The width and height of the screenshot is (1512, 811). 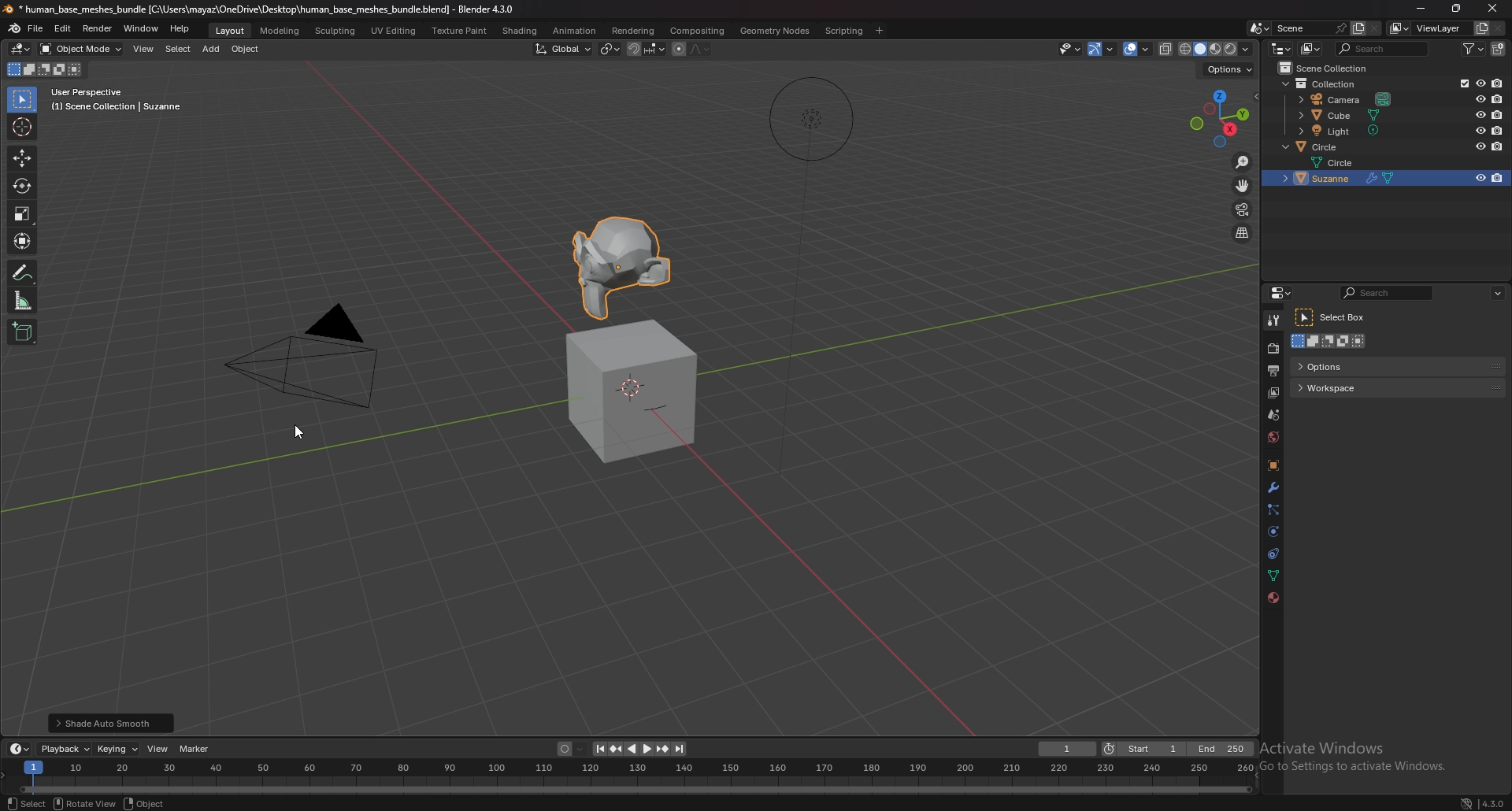 What do you see at coordinates (1273, 348) in the screenshot?
I see `render` at bounding box center [1273, 348].